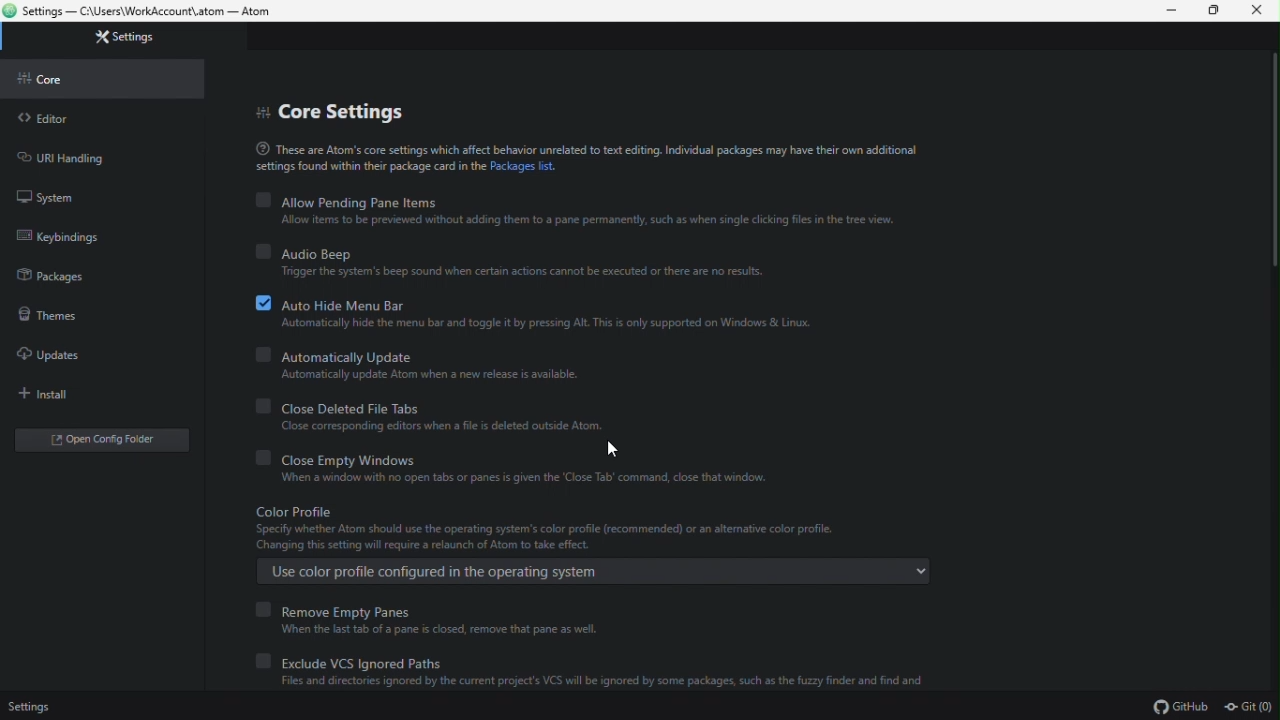 The image size is (1280, 720). What do you see at coordinates (354, 457) in the screenshot?
I see `close empty windows` at bounding box center [354, 457].